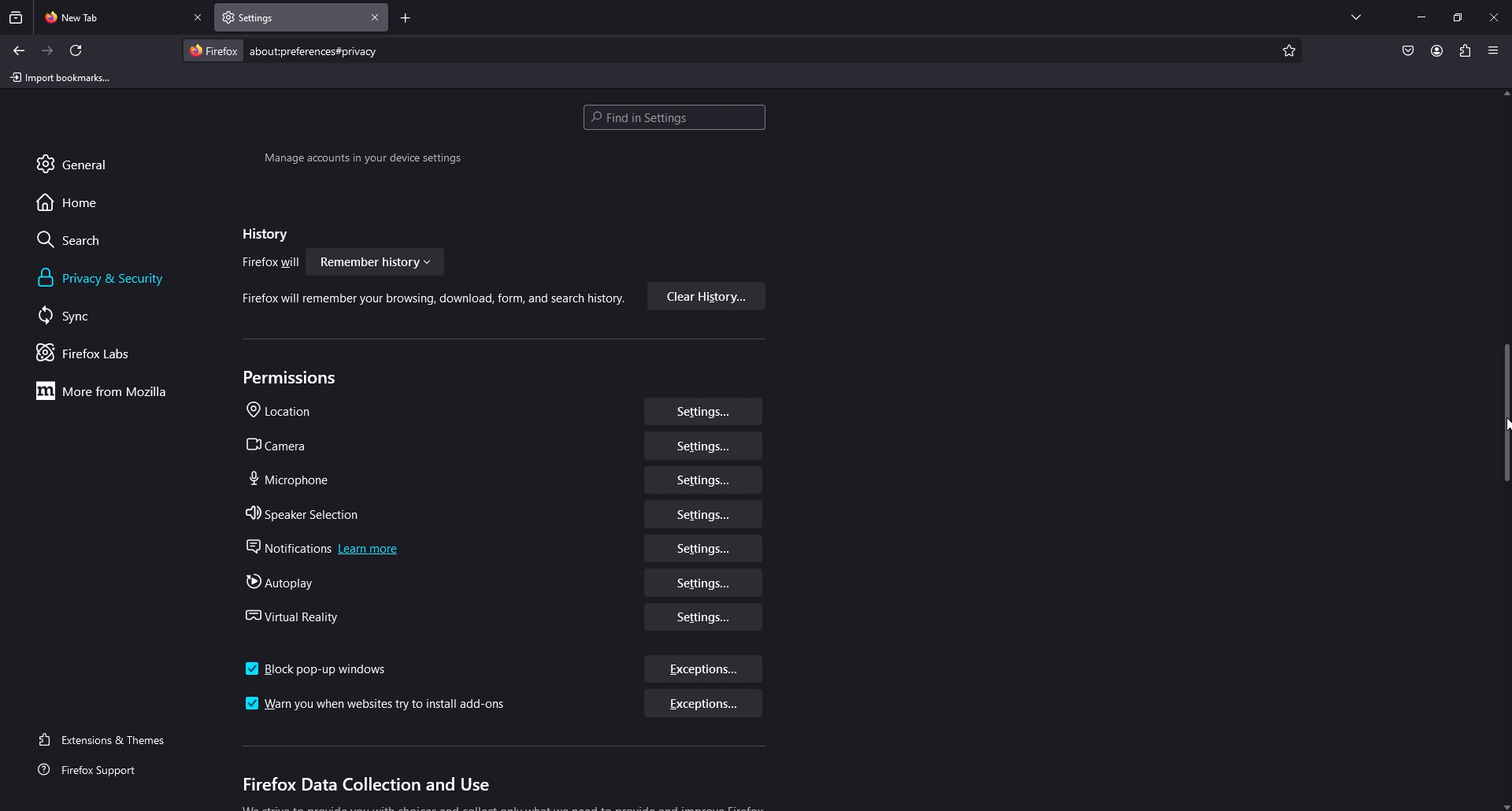  Describe the element at coordinates (1436, 50) in the screenshot. I see `profile` at that location.